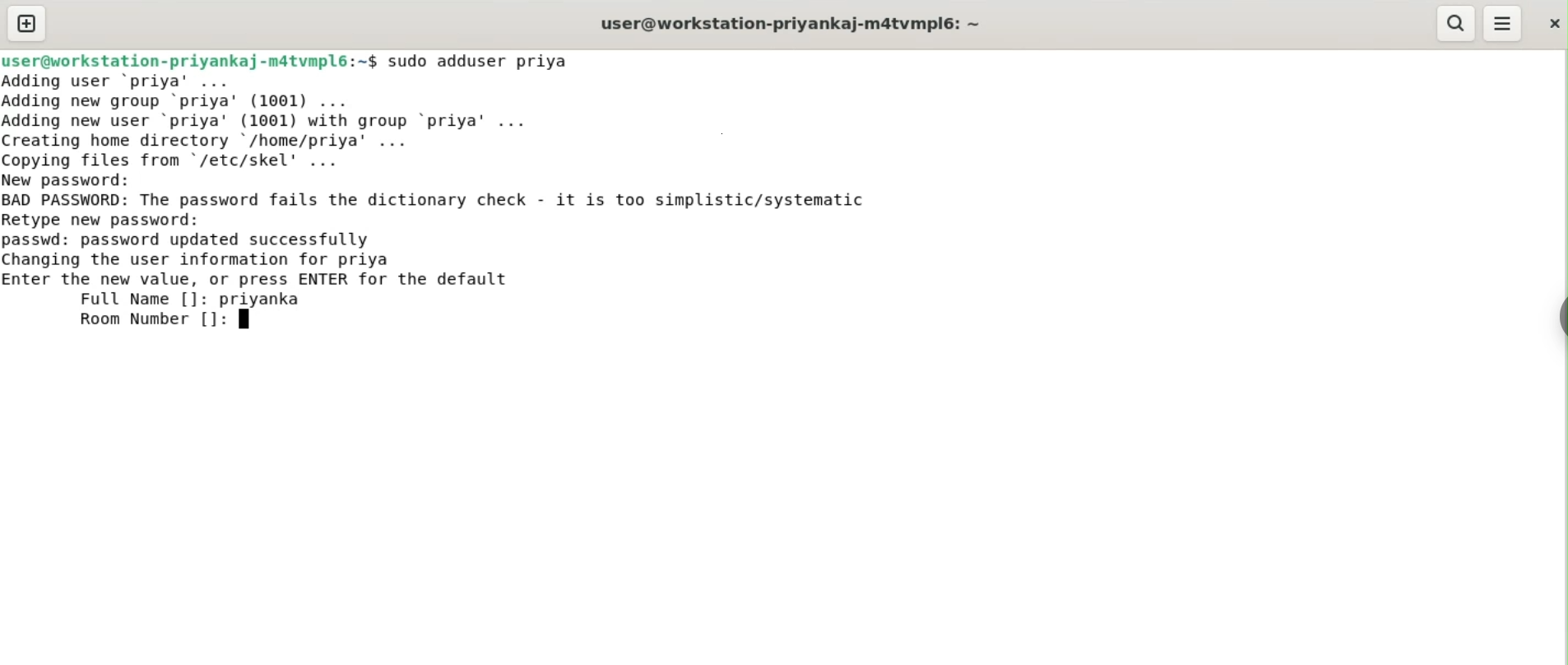 This screenshot has height=665, width=1568. What do you see at coordinates (787, 23) in the screenshot?
I see `user@workstation-priyankaj-m4tvmpl6:~` at bounding box center [787, 23].